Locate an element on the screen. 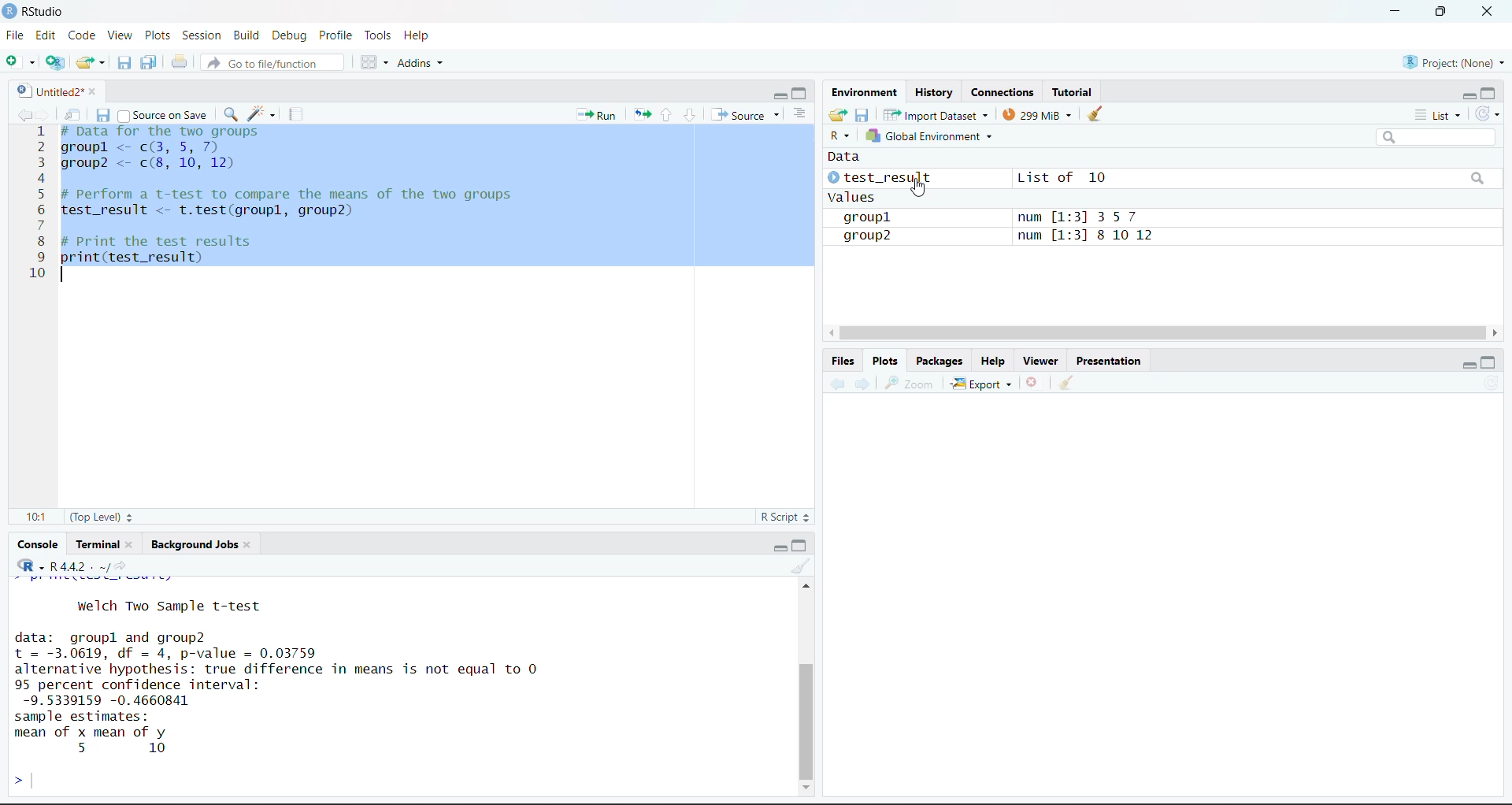 Image resolution: width=1512 pixels, height=805 pixels. go back to the previous source location is located at coordinates (25, 114).